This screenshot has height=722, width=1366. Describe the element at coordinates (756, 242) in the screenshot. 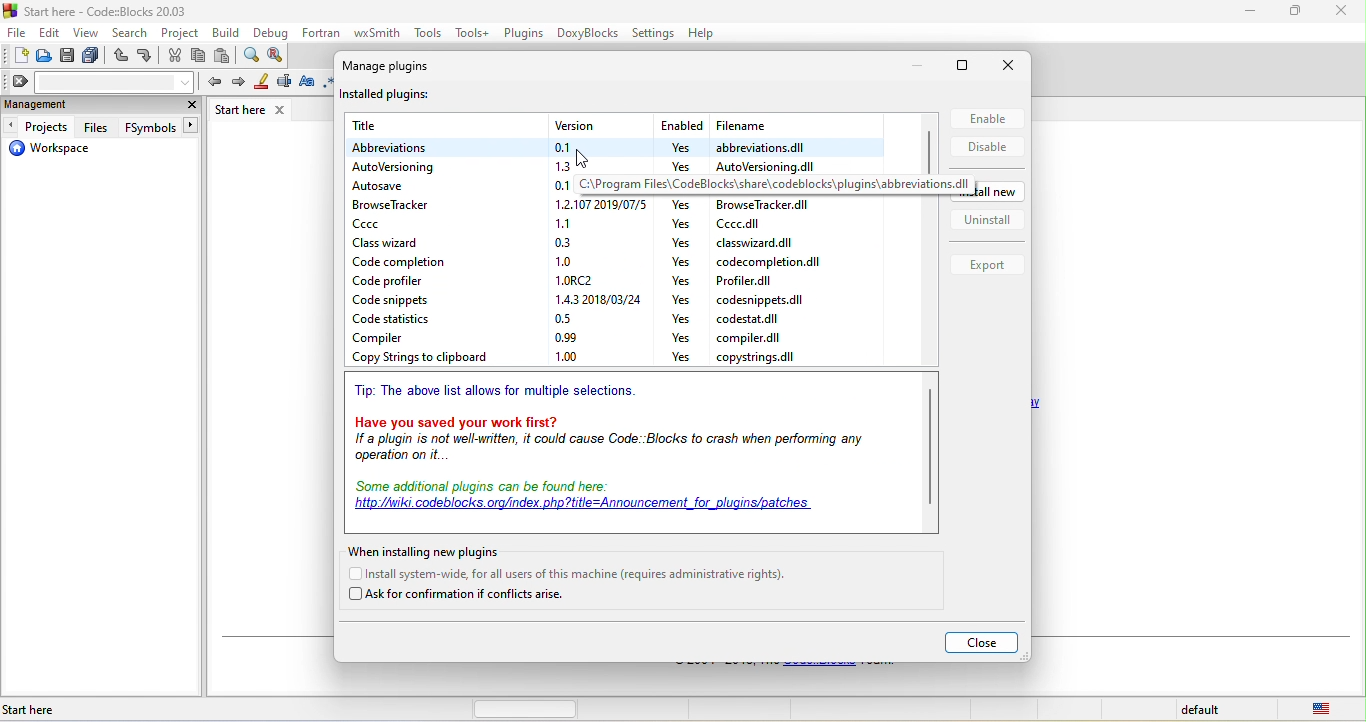

I see `file` at that location.